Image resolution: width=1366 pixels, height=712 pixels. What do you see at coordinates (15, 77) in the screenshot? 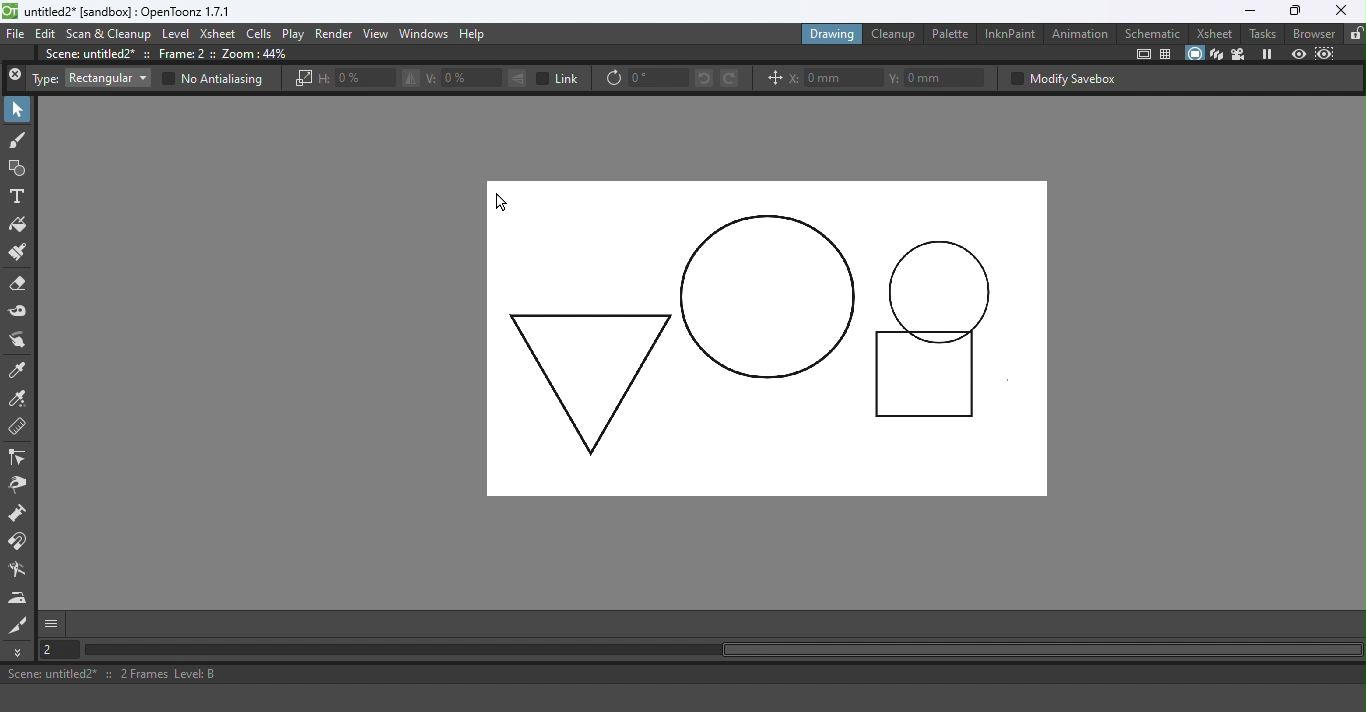
I see `Close` at bounding box center [15, 77].